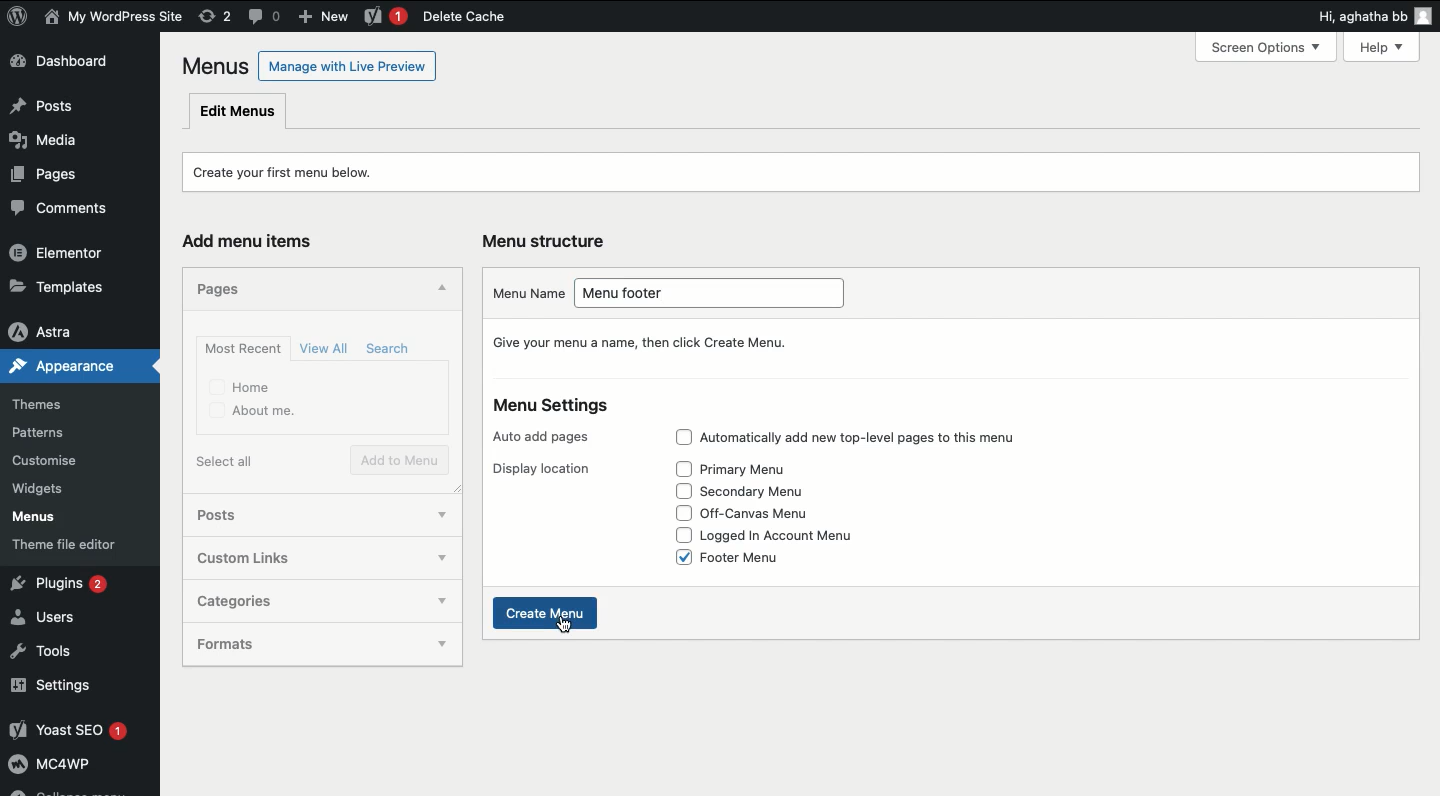 The image size is (1440, 796). I want to click on Templates, so click(70, 284).